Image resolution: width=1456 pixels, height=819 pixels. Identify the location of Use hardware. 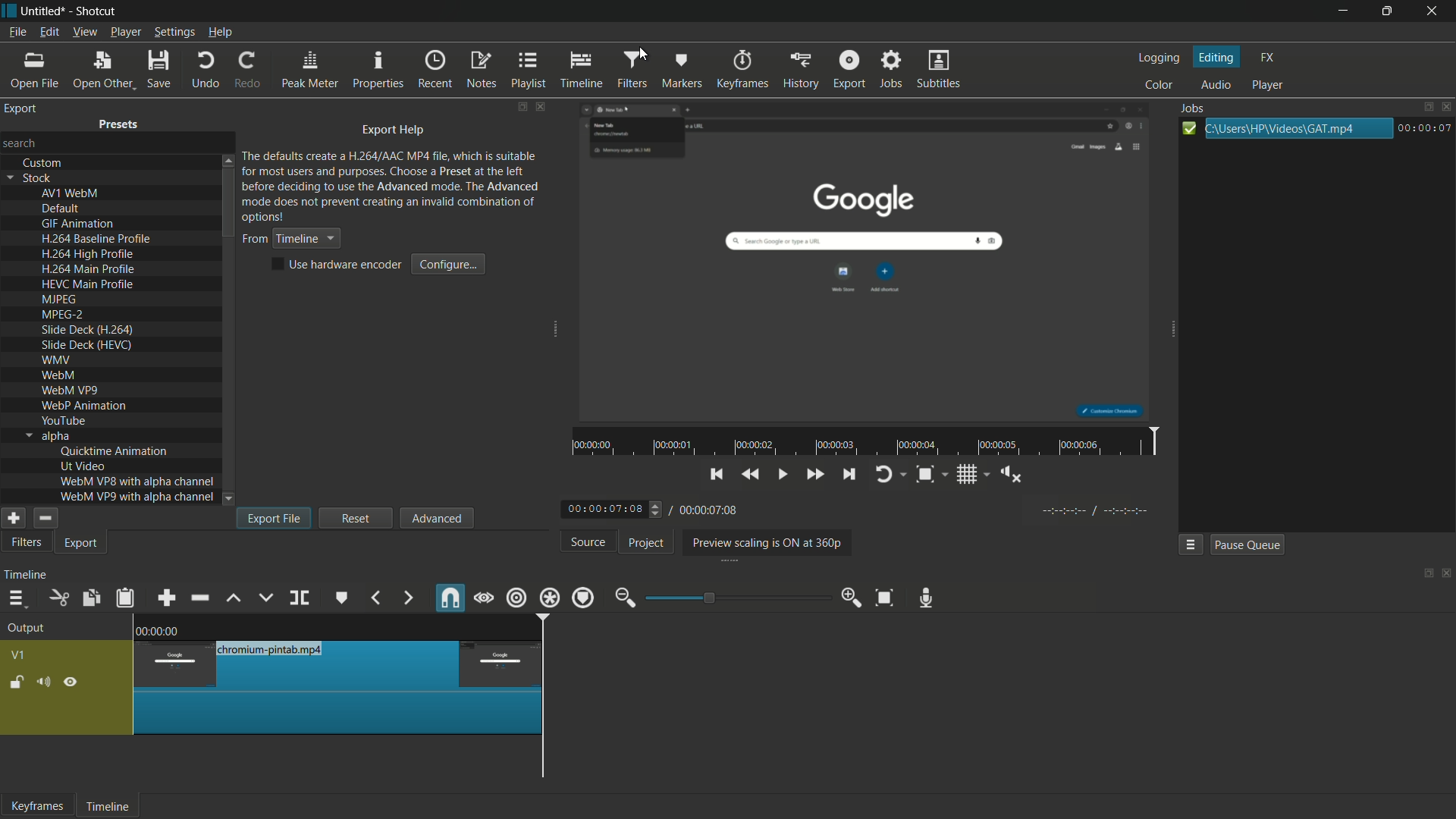
(338, 265).